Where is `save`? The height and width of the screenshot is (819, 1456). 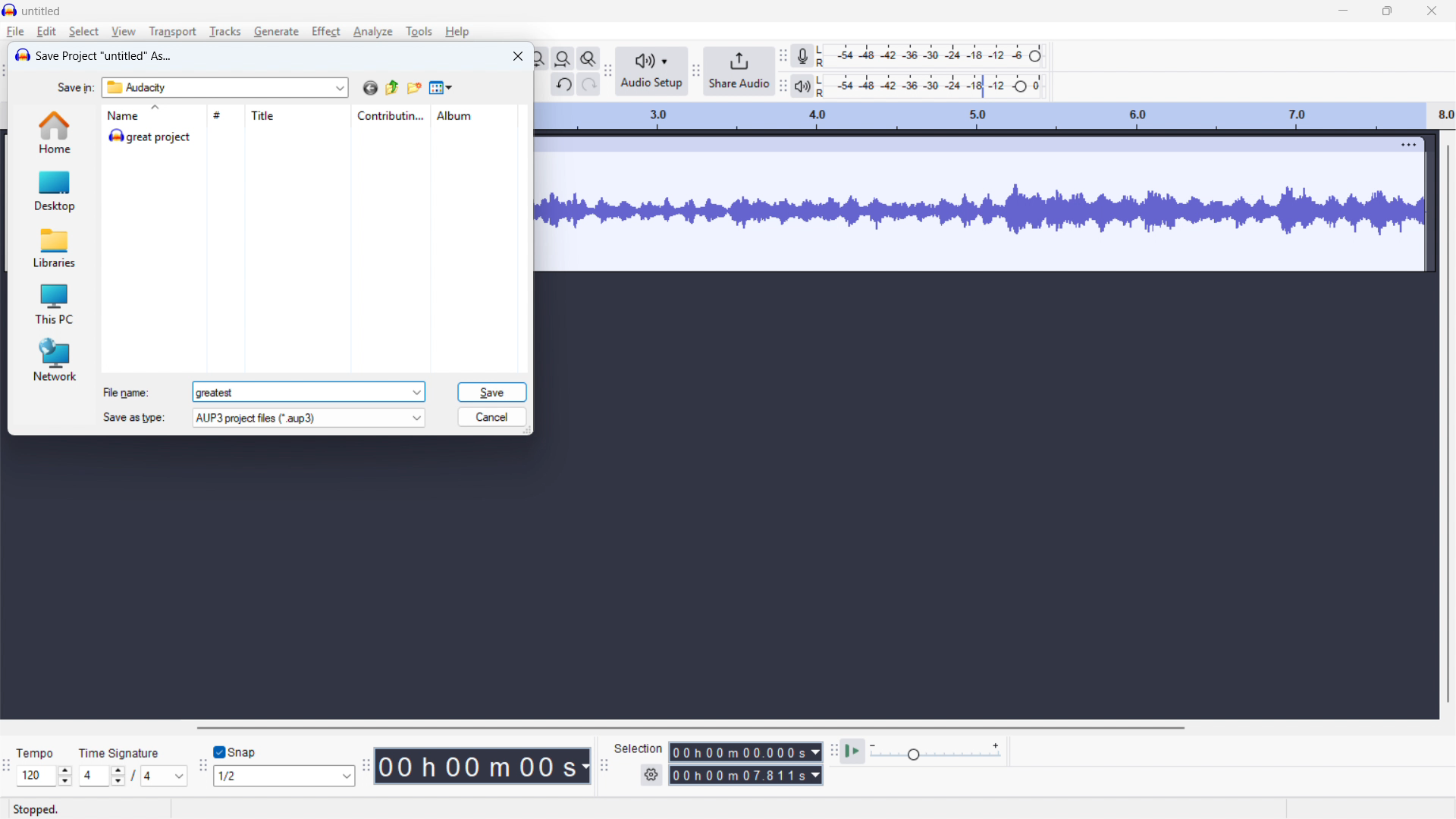 save is located at coordinates (491, 392).